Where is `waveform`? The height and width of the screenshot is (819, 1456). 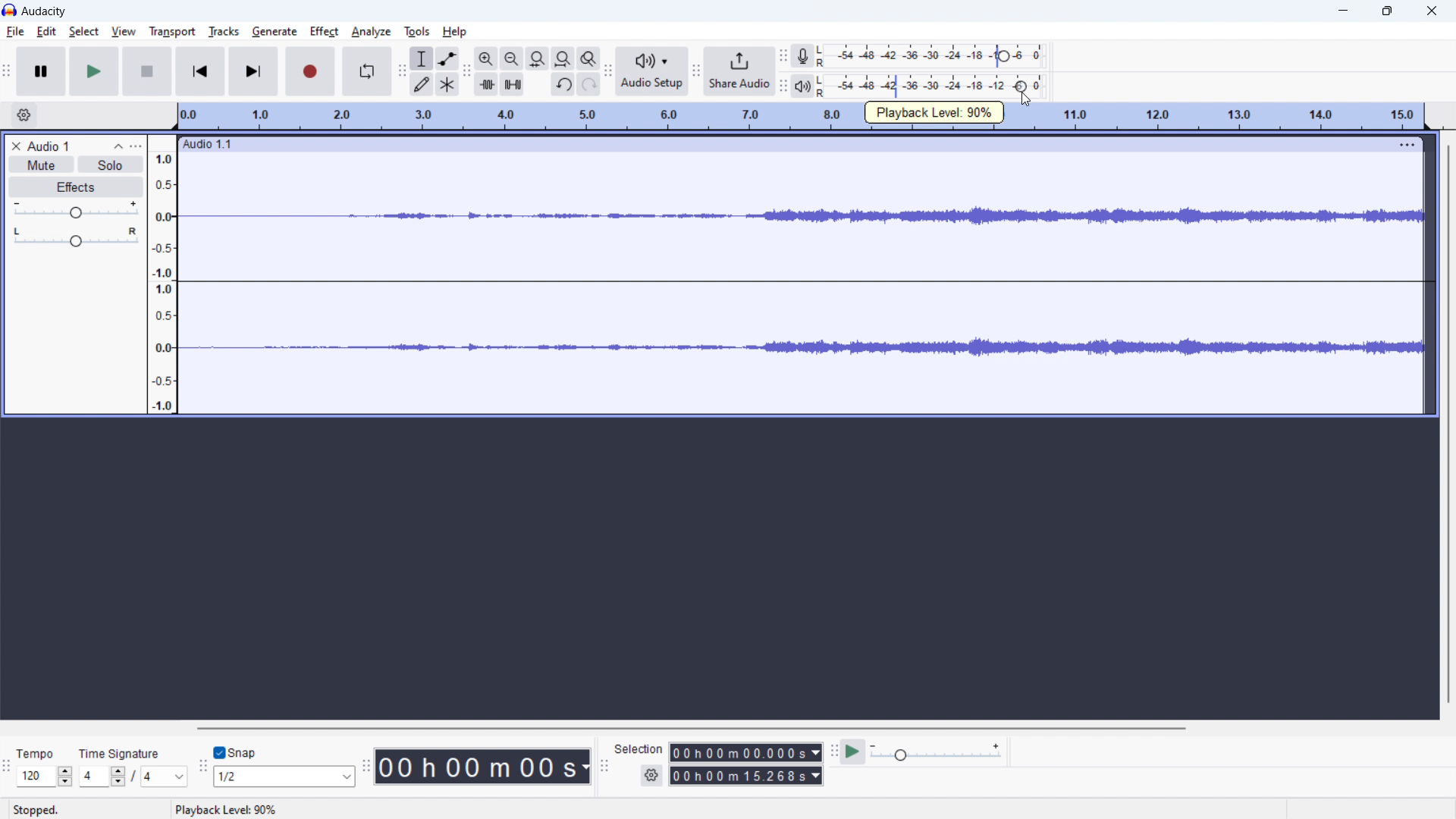 waveform is located at coordinates (802, 350).